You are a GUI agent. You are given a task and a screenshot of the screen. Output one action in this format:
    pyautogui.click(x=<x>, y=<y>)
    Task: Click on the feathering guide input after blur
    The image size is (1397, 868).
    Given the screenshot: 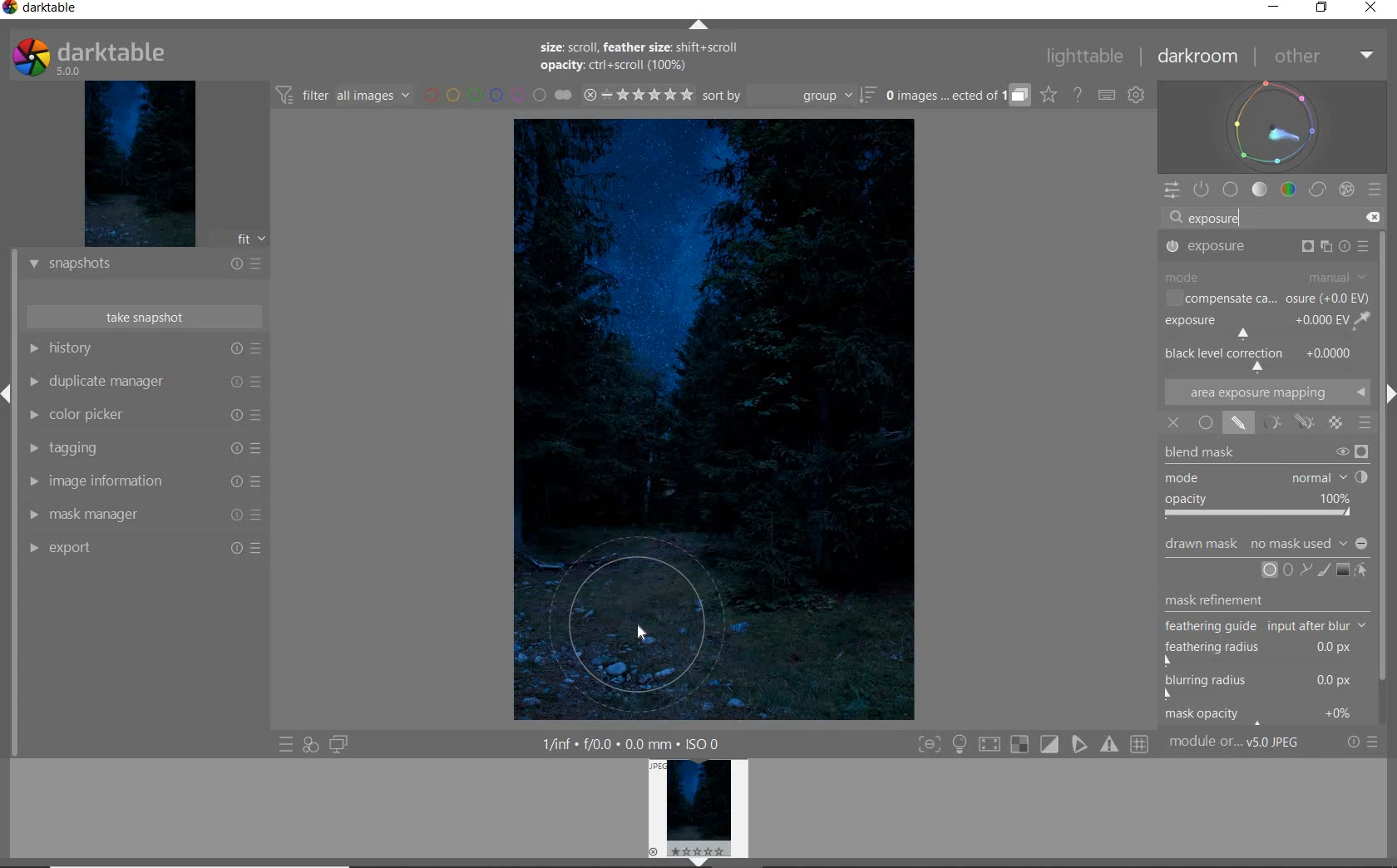 What is the action you would take?
    pyautogui.click(x=1266, y=626)
    